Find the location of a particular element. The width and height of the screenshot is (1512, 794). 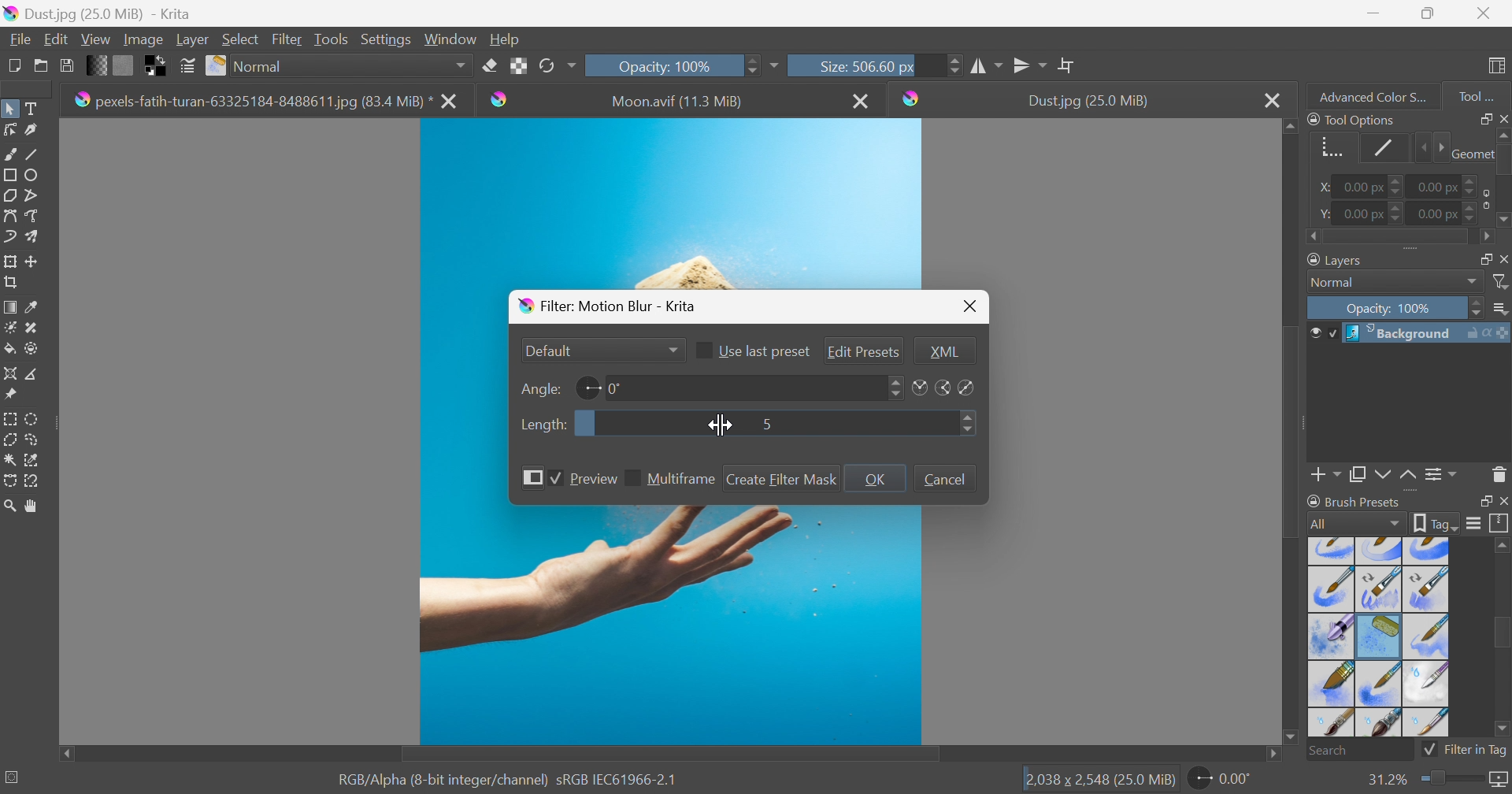

Default is located at coordinates (549, 350).